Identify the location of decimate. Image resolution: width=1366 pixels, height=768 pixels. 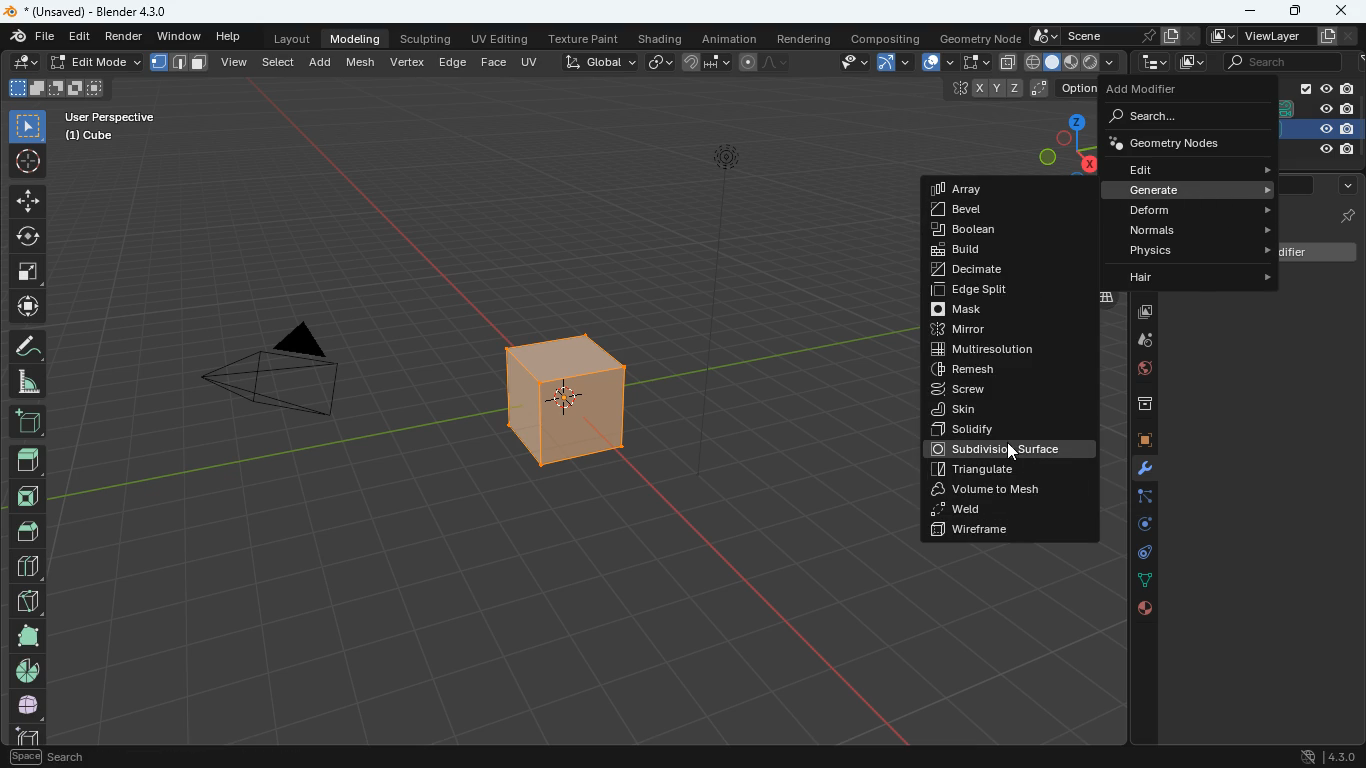
(985, 273).